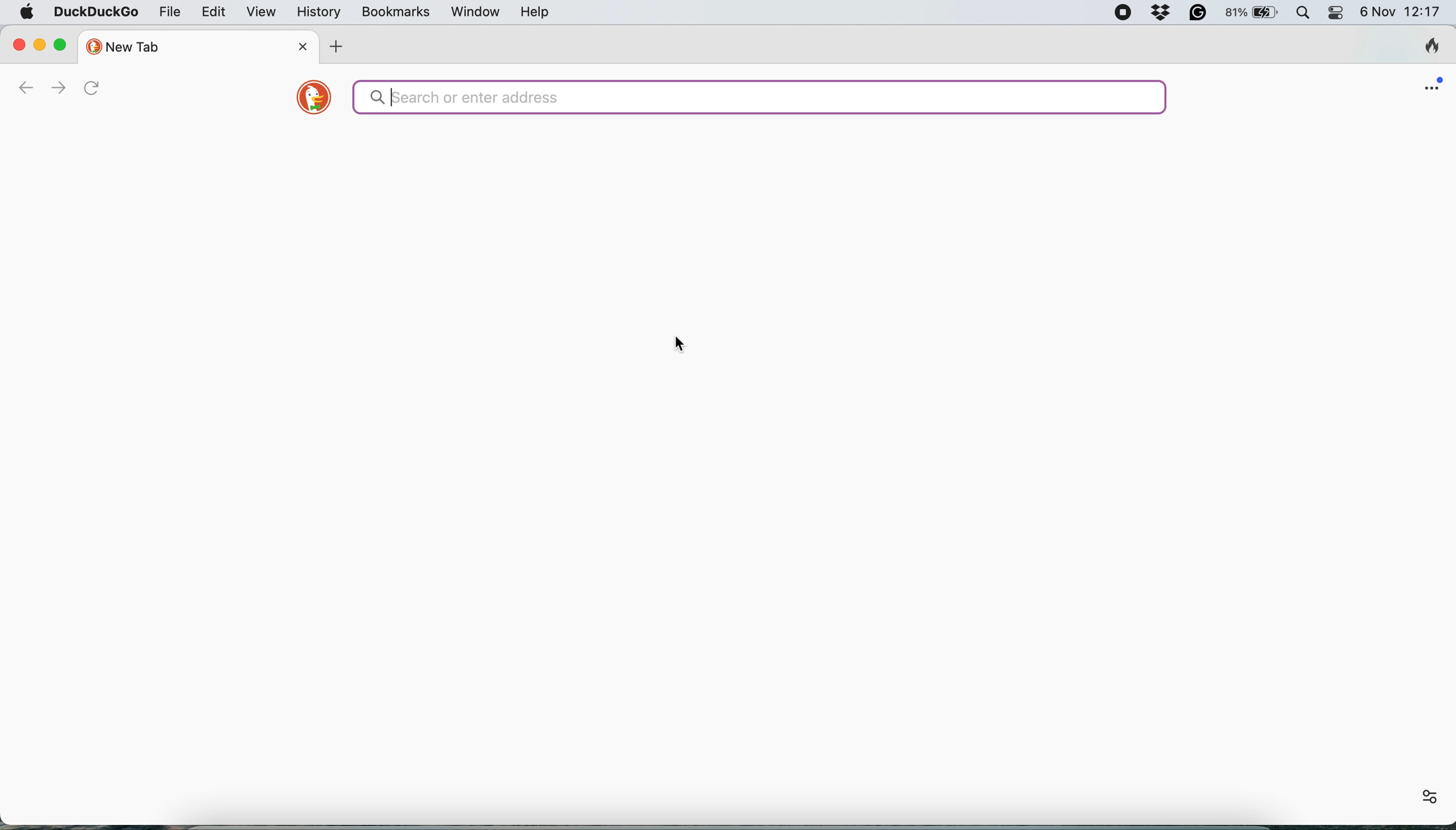  What do you see at coordinates (683, 348) in the screenshot?
I see `cursor` at bounding box center [683, 348].